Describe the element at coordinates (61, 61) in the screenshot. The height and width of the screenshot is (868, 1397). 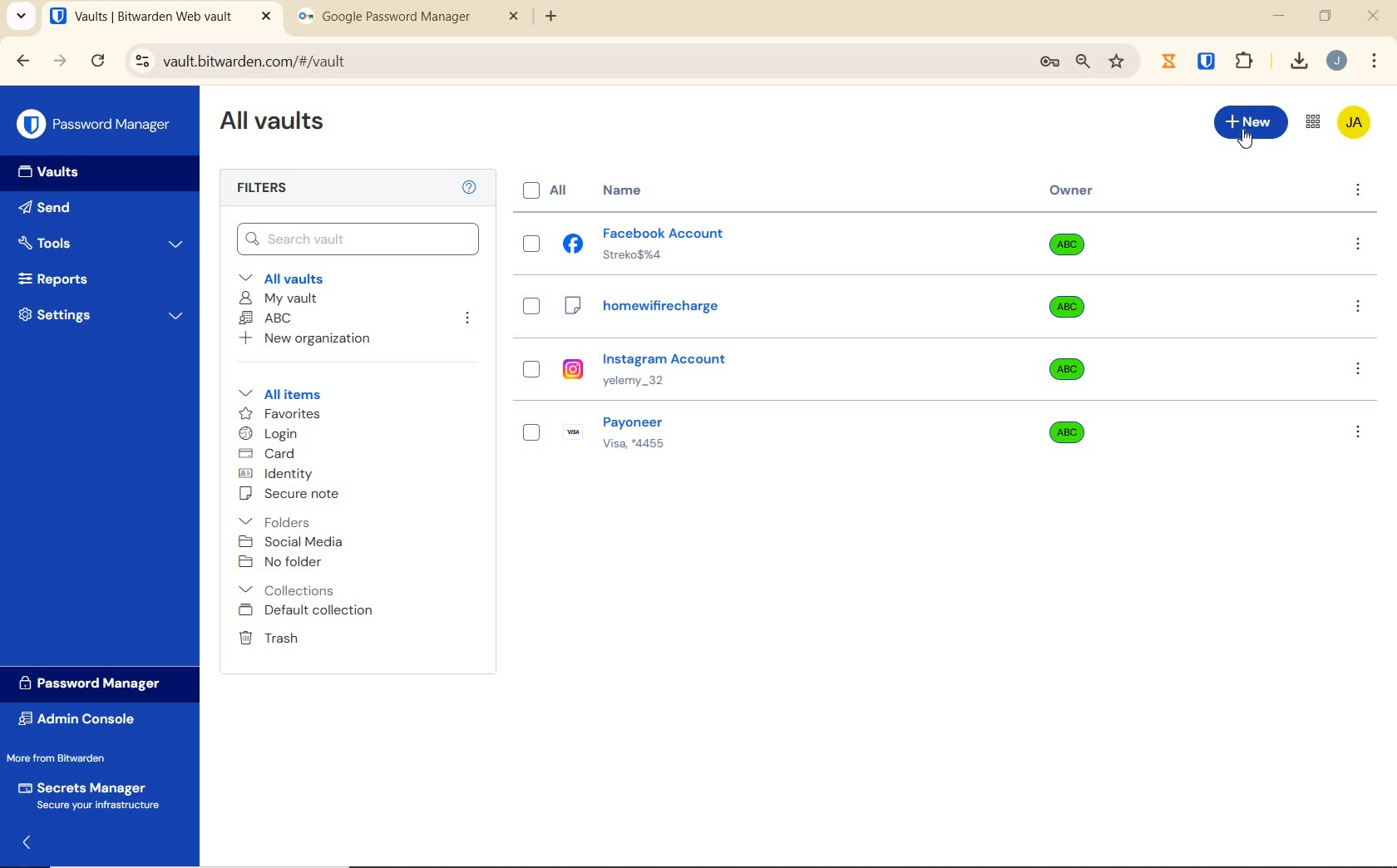
I see `forward` at that location.